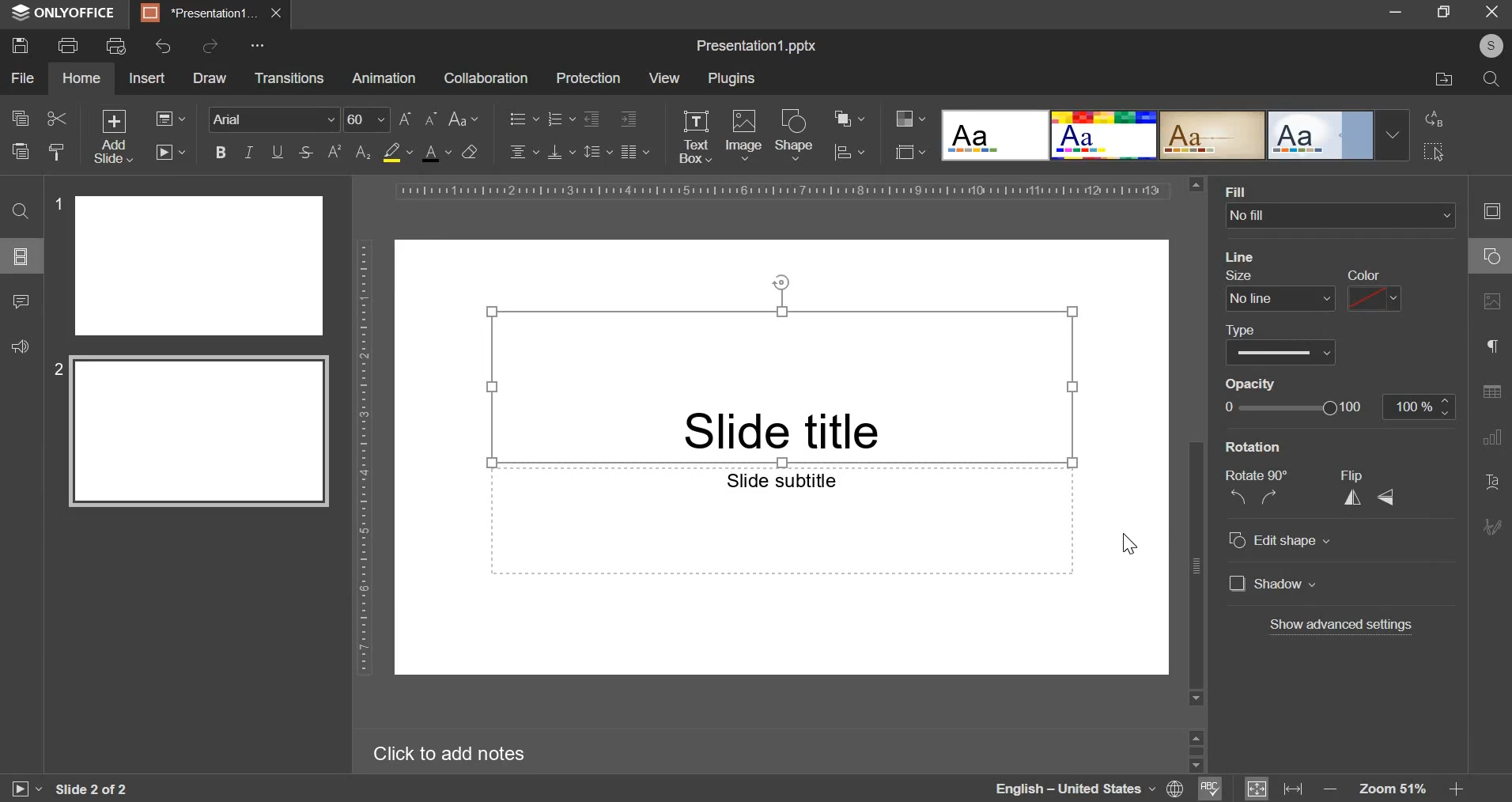 The height and width of the screenshot is (802, 1512). What do you see at coordinates (277, 150) in the screenshot?
I see `underline` at bounding box center [277, 150].